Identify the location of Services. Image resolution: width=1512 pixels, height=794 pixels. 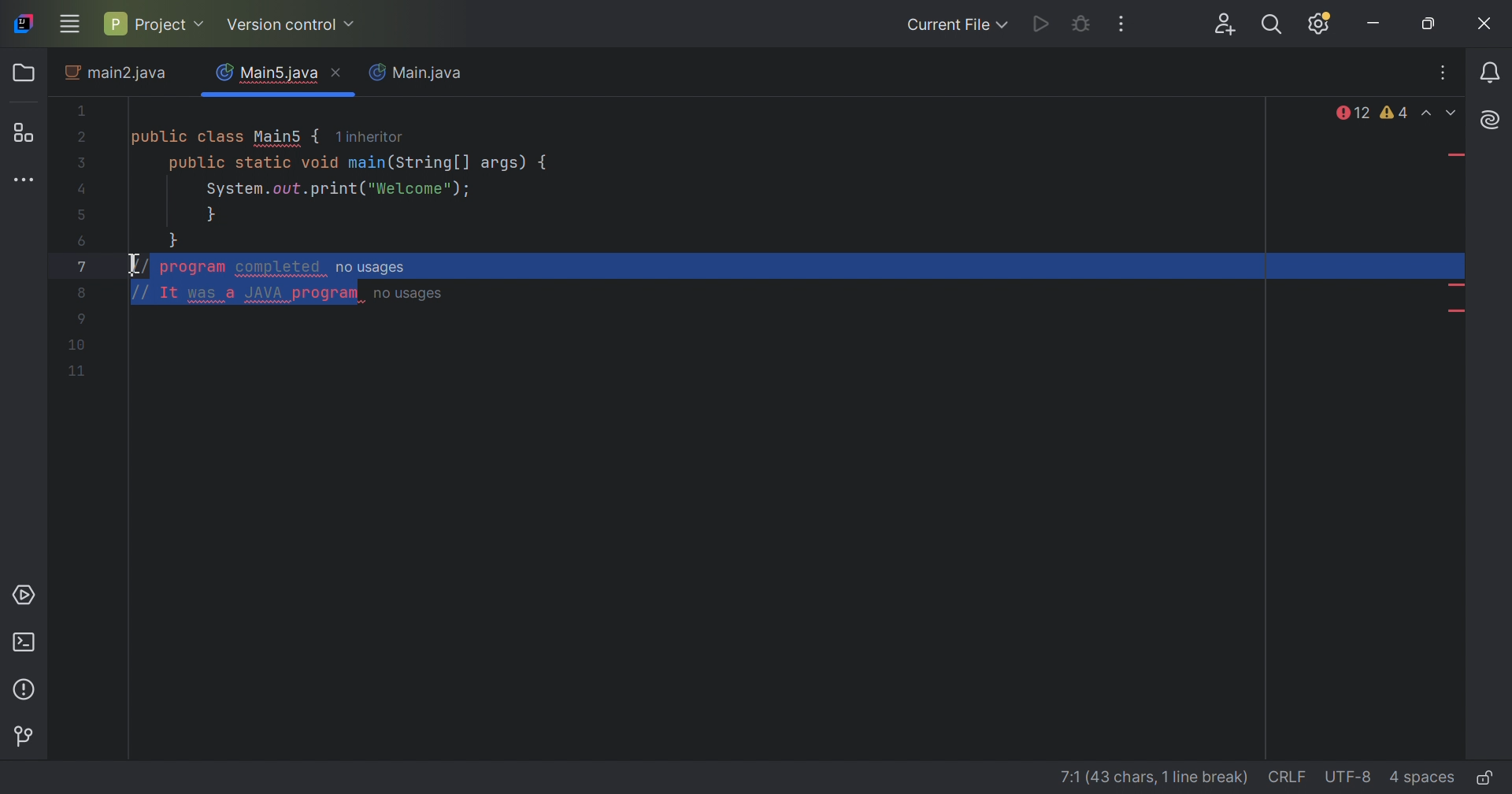
(28, 597).